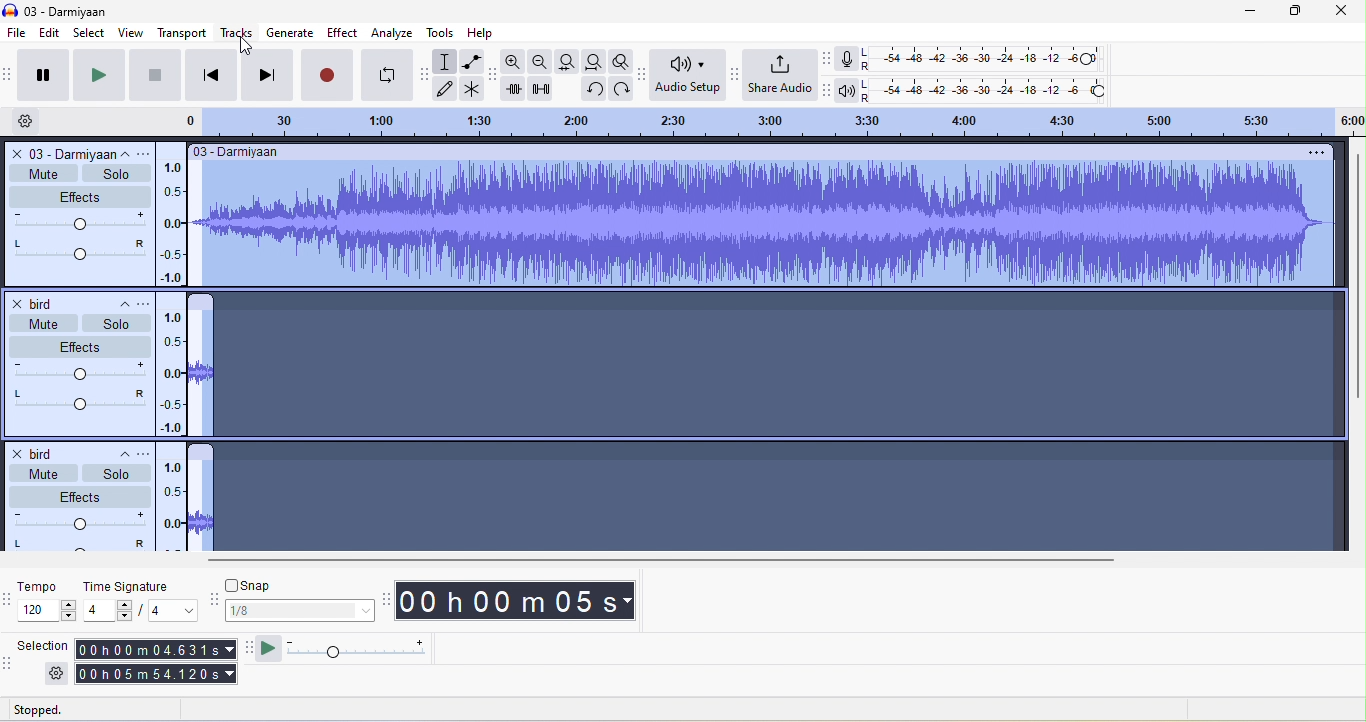 The image size is (1366, 722). What do you see at coordinates (738, 75) in the screenshot?
I see `audacity share audio` at bounding box center [738, 75].